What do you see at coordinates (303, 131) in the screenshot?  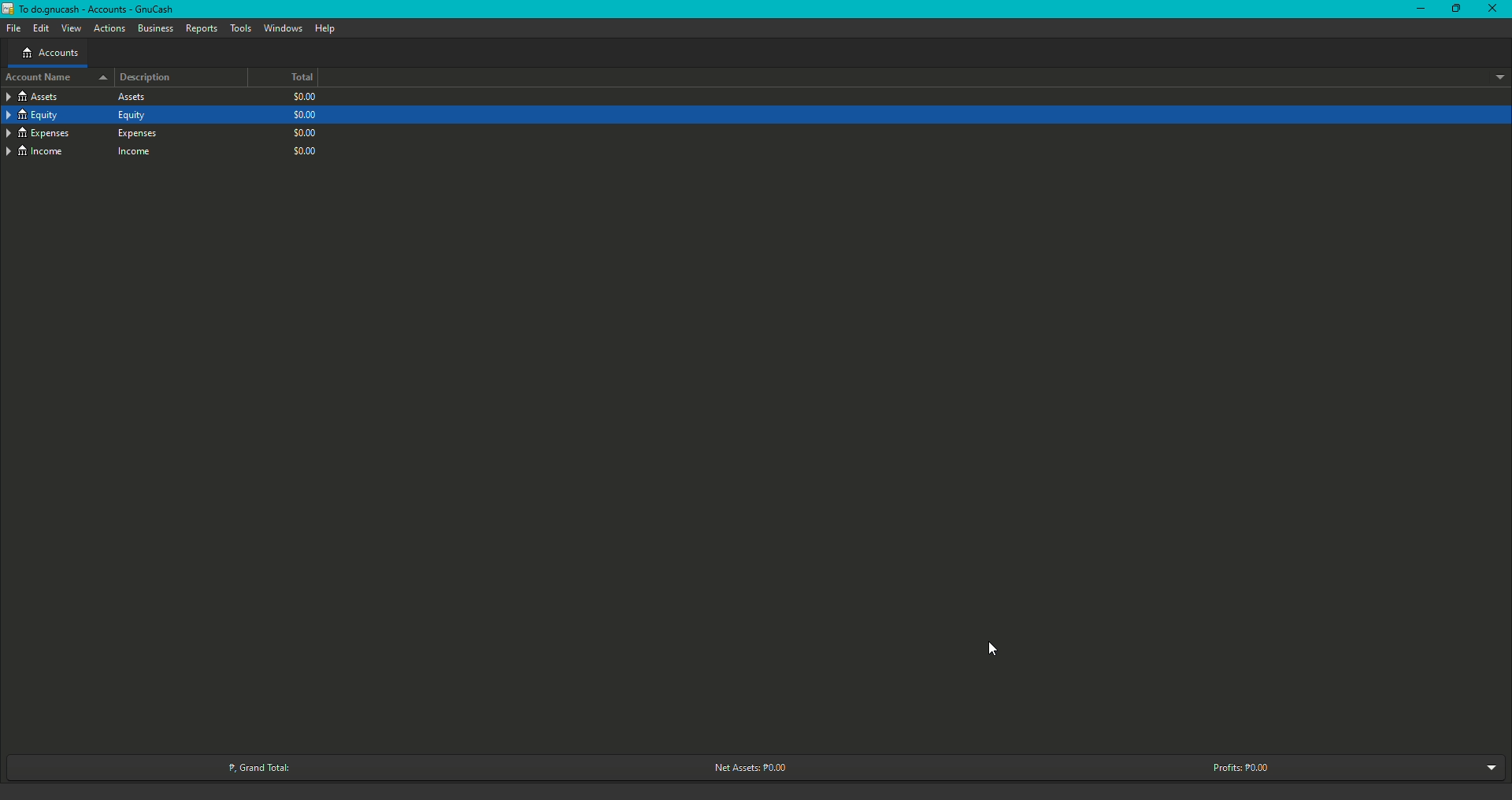 I see `$0` at bounding box center [303, 131].